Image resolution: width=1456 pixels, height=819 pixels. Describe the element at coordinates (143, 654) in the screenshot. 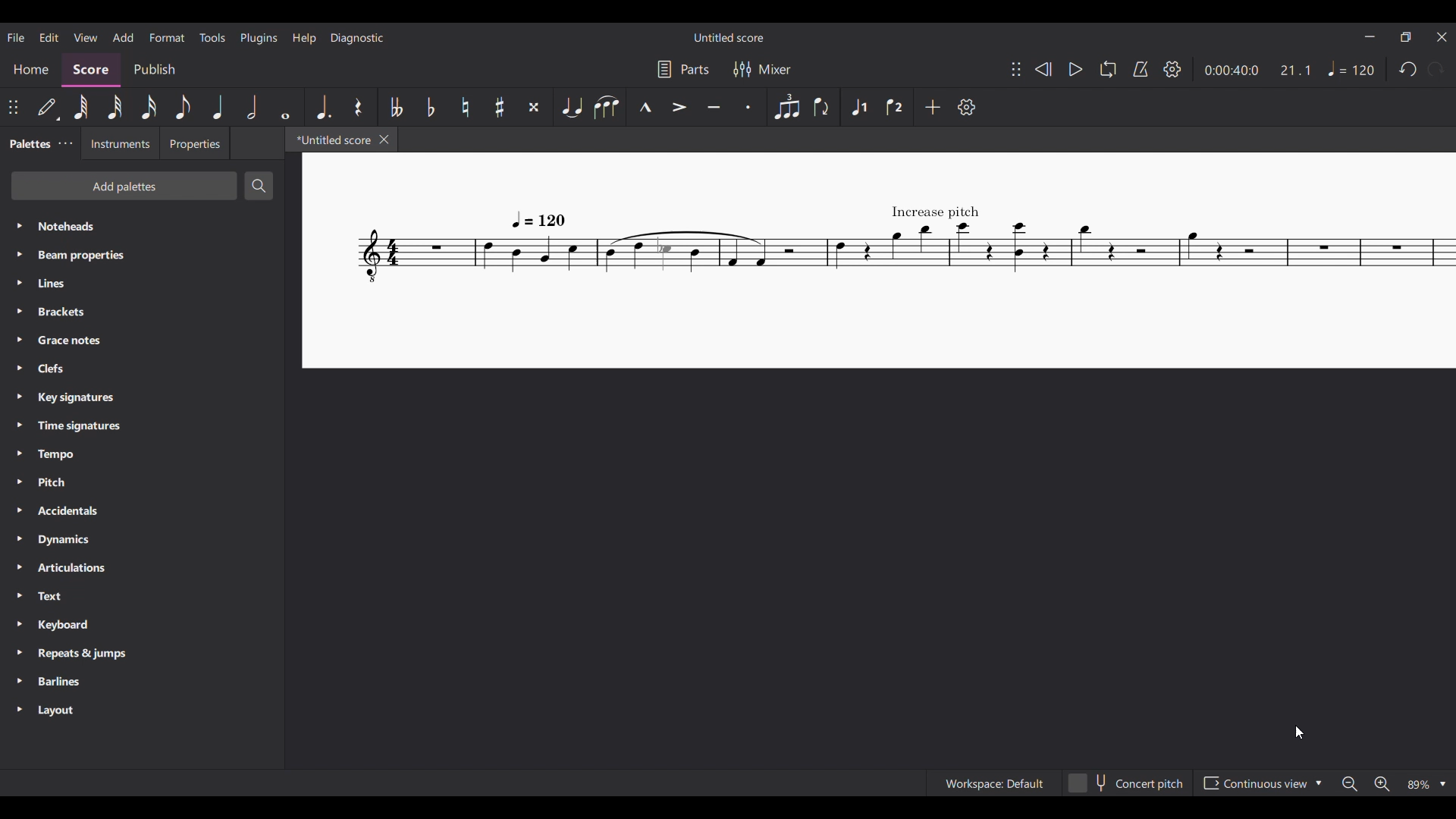

I see `Repeats & jumps` at that location.